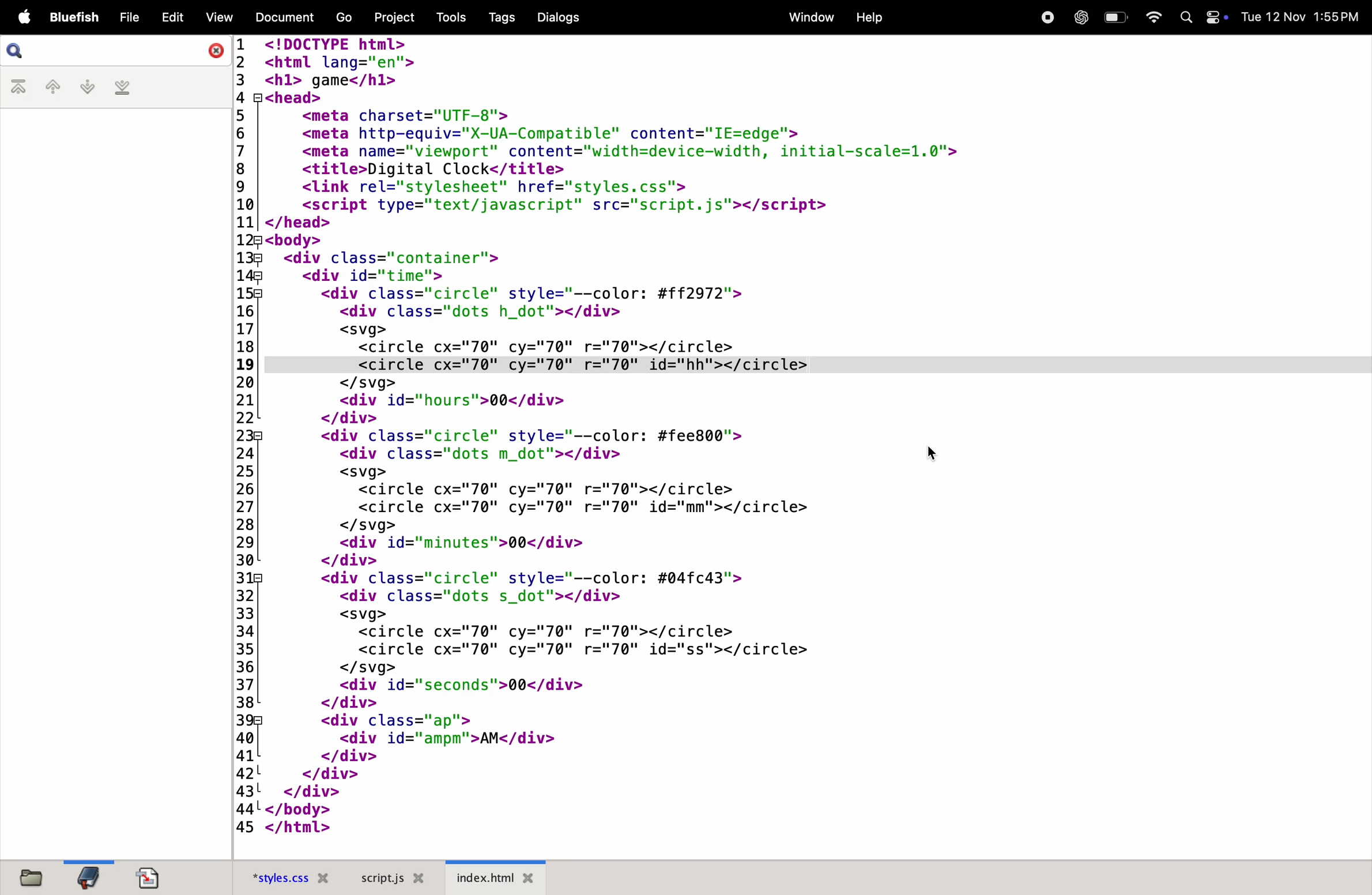 The height and width of the screenshot is (895, 1372). Describe the element at coordinates (497, 17) in the screenshot. I see `tags` at that location.